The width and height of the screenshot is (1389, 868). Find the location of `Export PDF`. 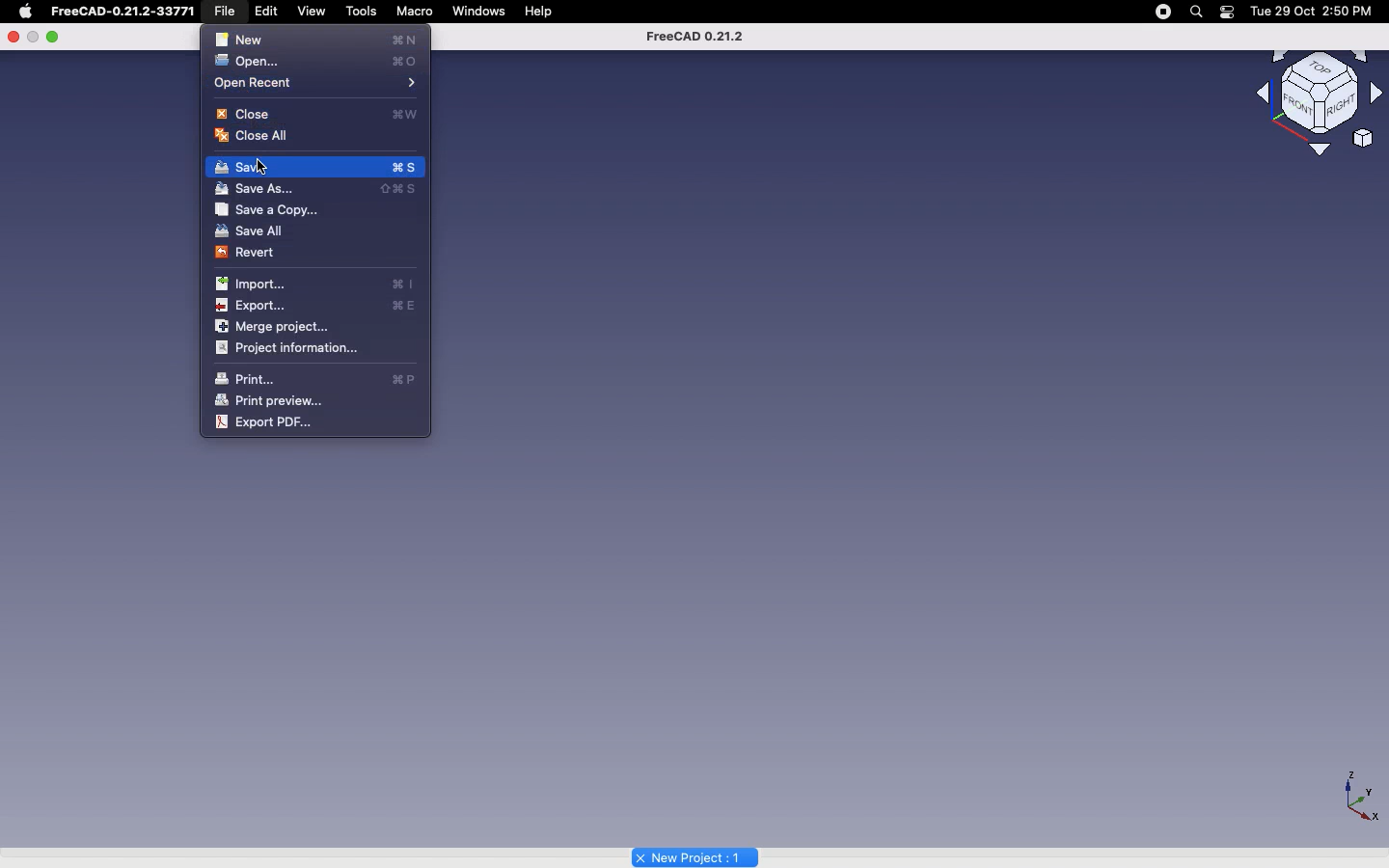

Export PDF is located at coordinates (265, 423).